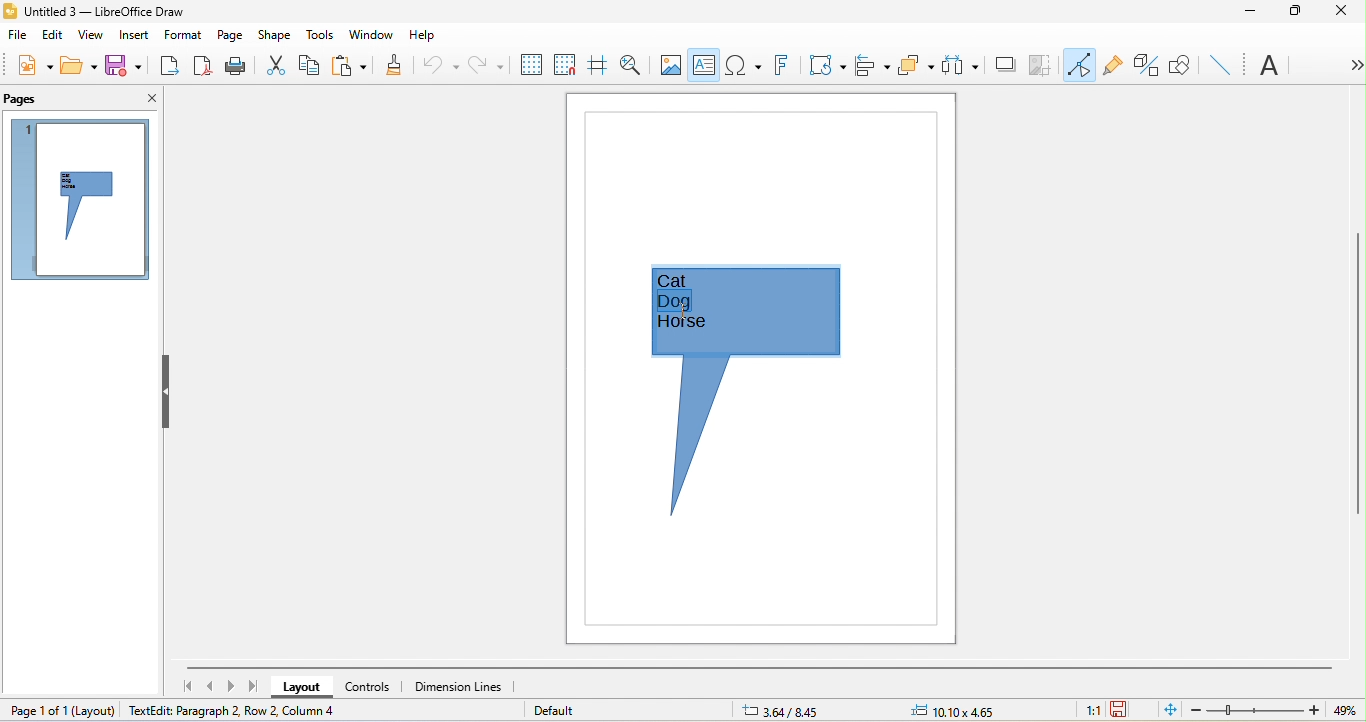  What do you see at coordinates (1357, 377) in the screenshot?
I see `vertical scroll bar` at bounding box center [1357, 377].